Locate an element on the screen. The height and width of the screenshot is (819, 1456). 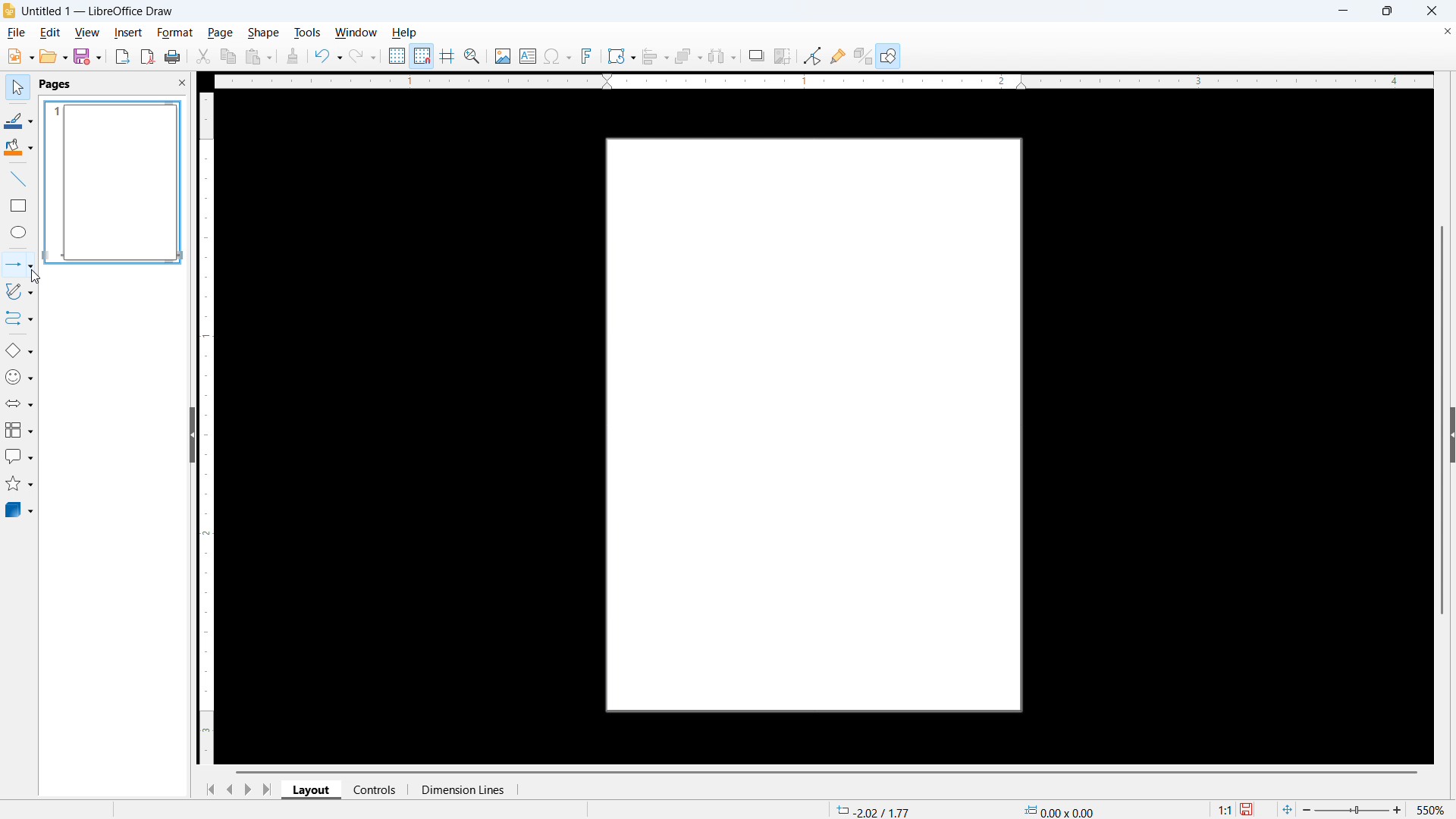
Curves and polygons  is located at coordinates (19, 292).